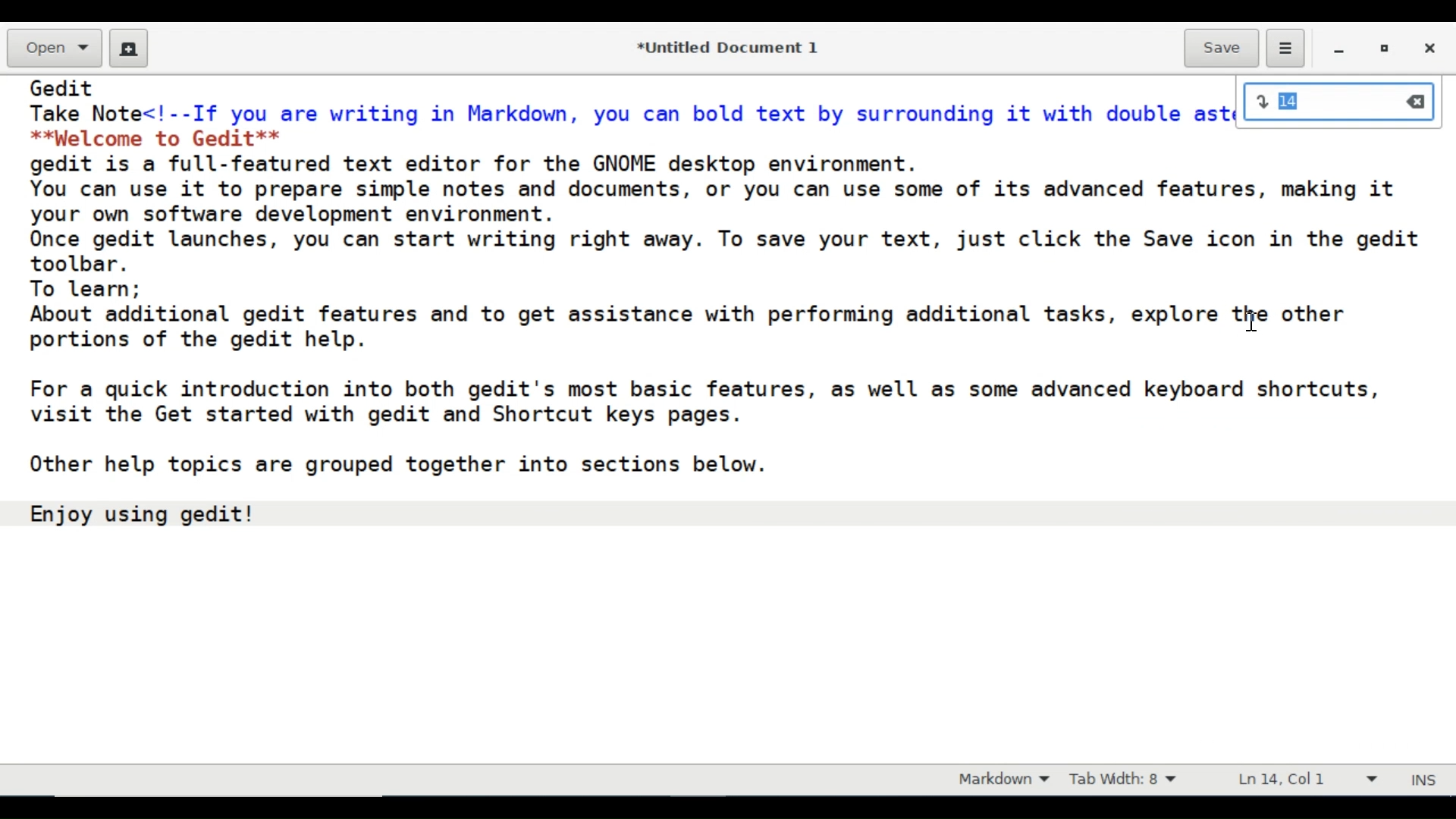 The height and width of the screenshot is (819, 1456). What do you see at coordinates (1418, 102) in the screenshot?
I see `clear input value` at bounding box center [1418, 102].